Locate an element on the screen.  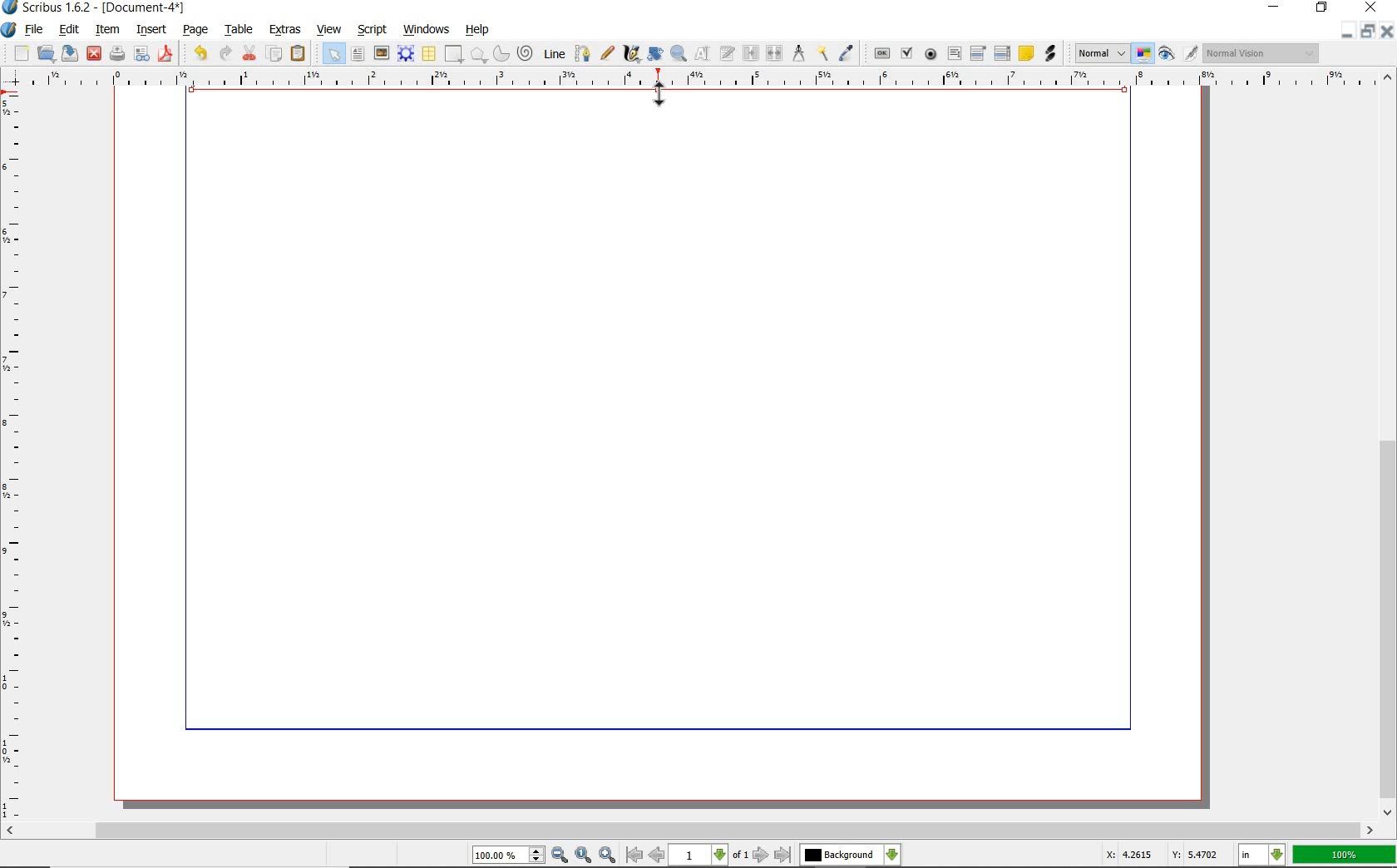
X: 4.2615 Y: 5.4702 is located at coordinates (1159, 854).